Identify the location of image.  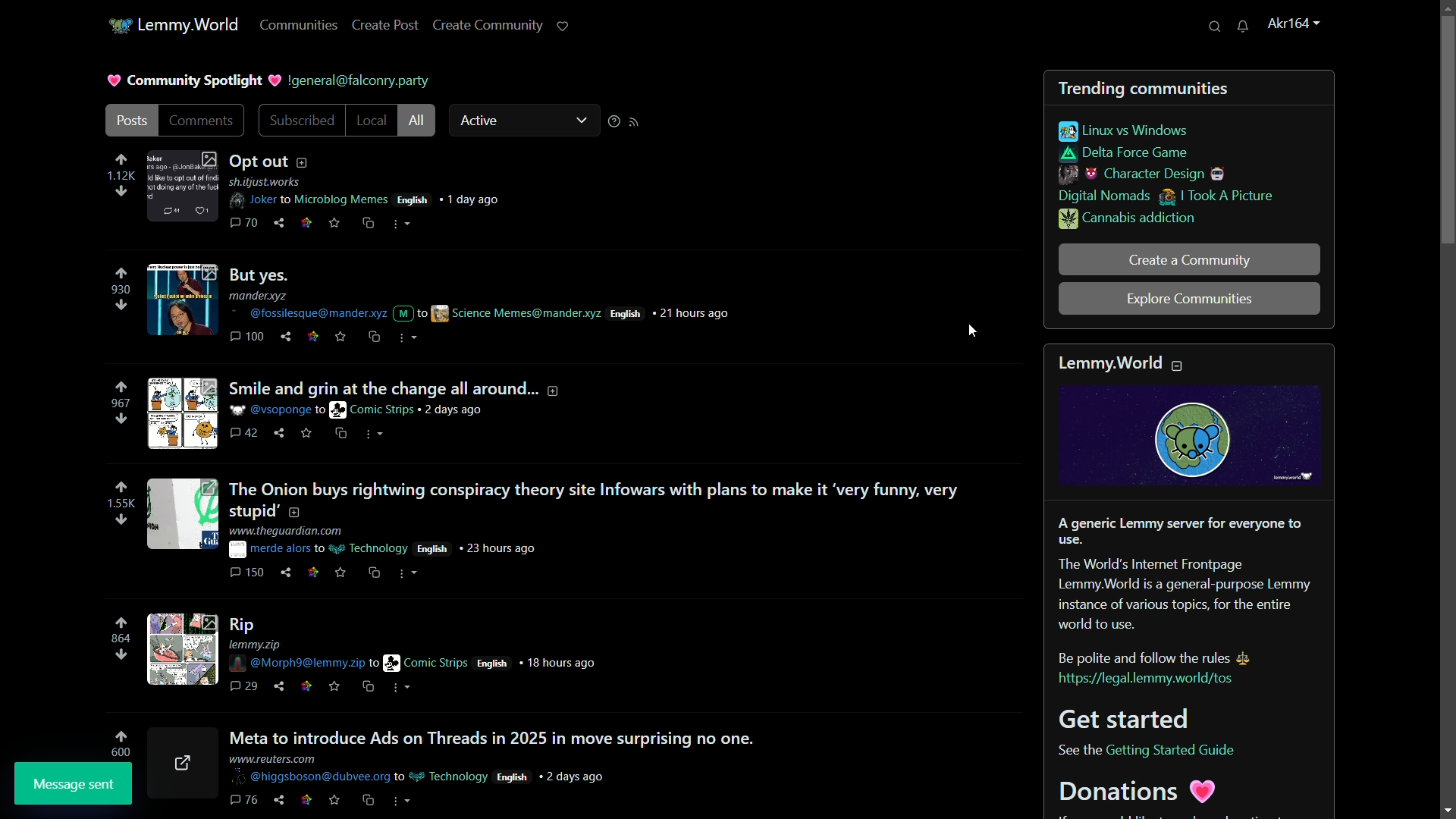
(182, 649).